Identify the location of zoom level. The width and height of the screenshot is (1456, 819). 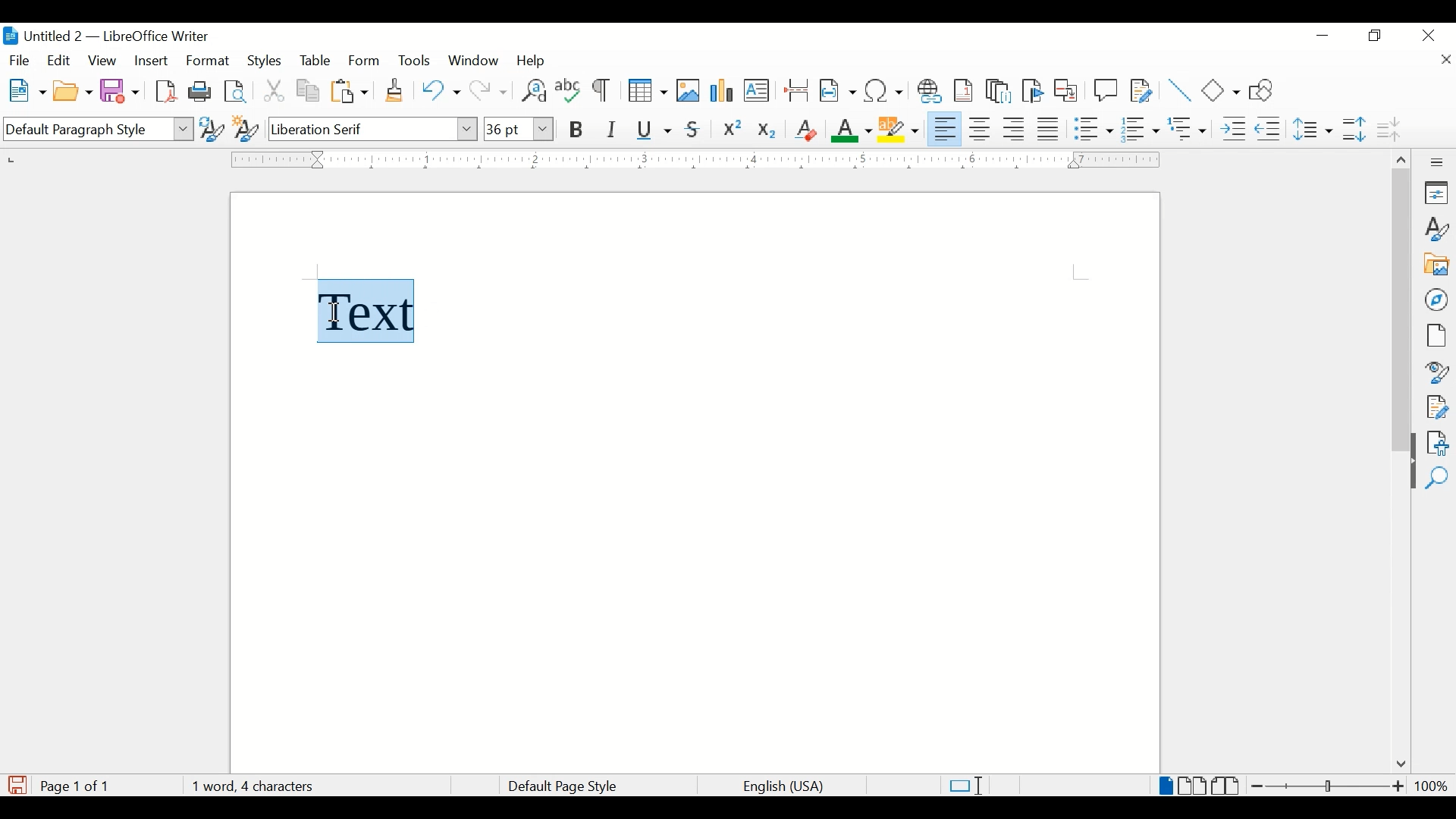
(1431, 786).